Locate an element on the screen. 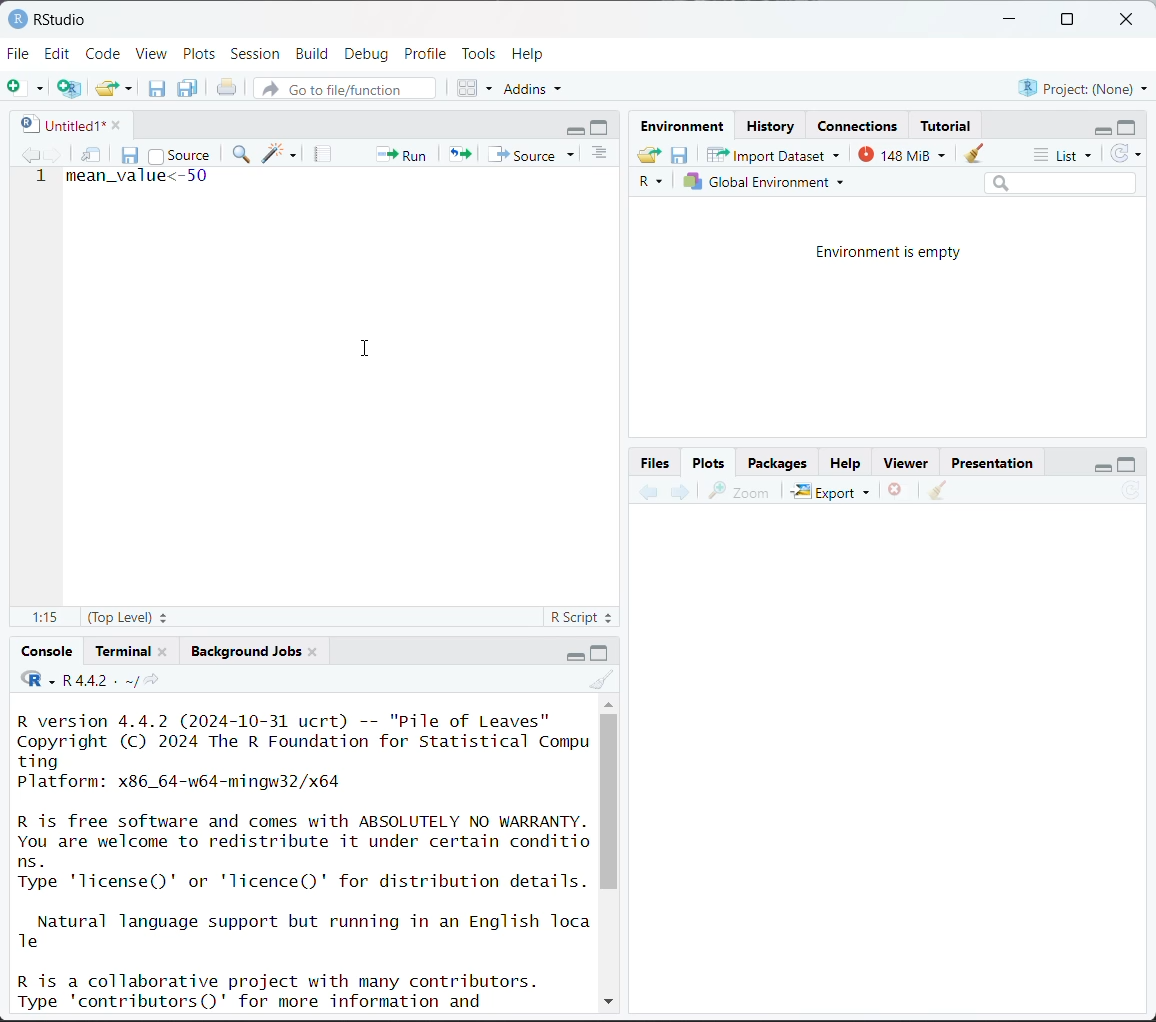 This screenshot has width=1156, height=1022. History is located at coordinates (772, 126).